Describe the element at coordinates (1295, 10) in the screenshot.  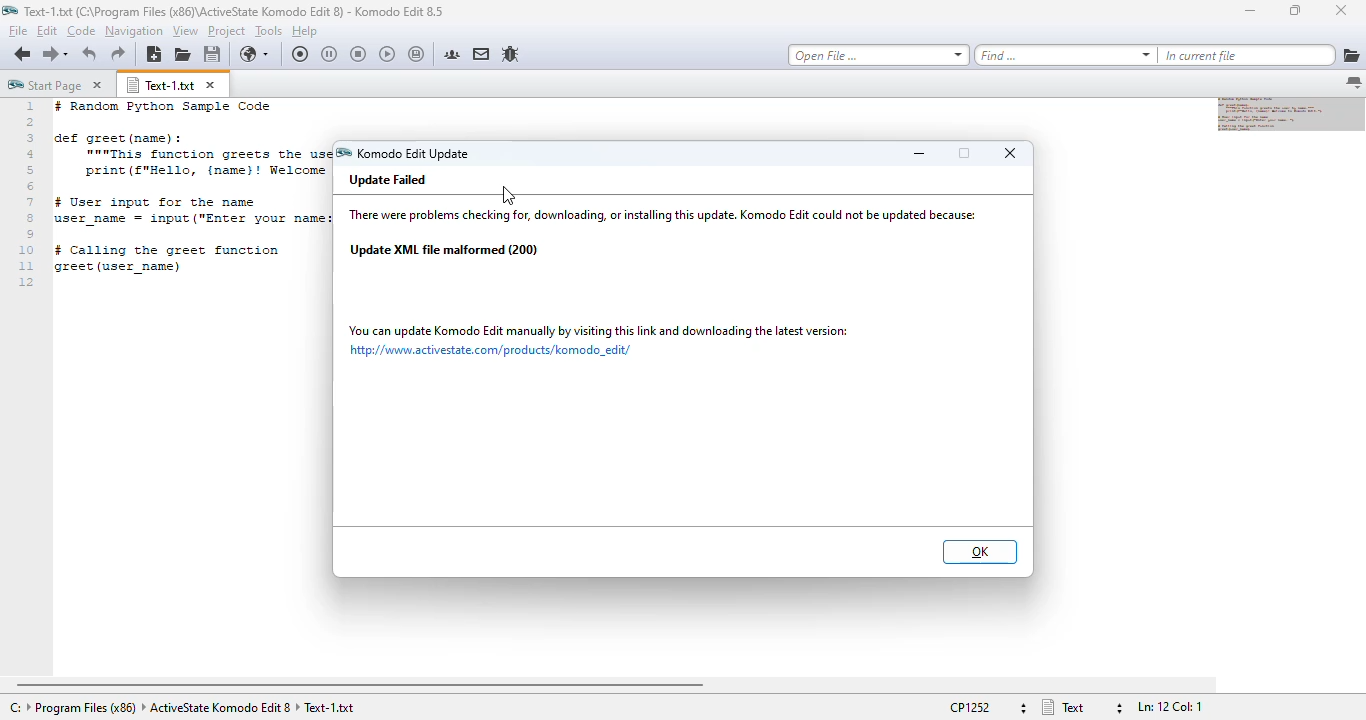
I see `maximize` at that location.